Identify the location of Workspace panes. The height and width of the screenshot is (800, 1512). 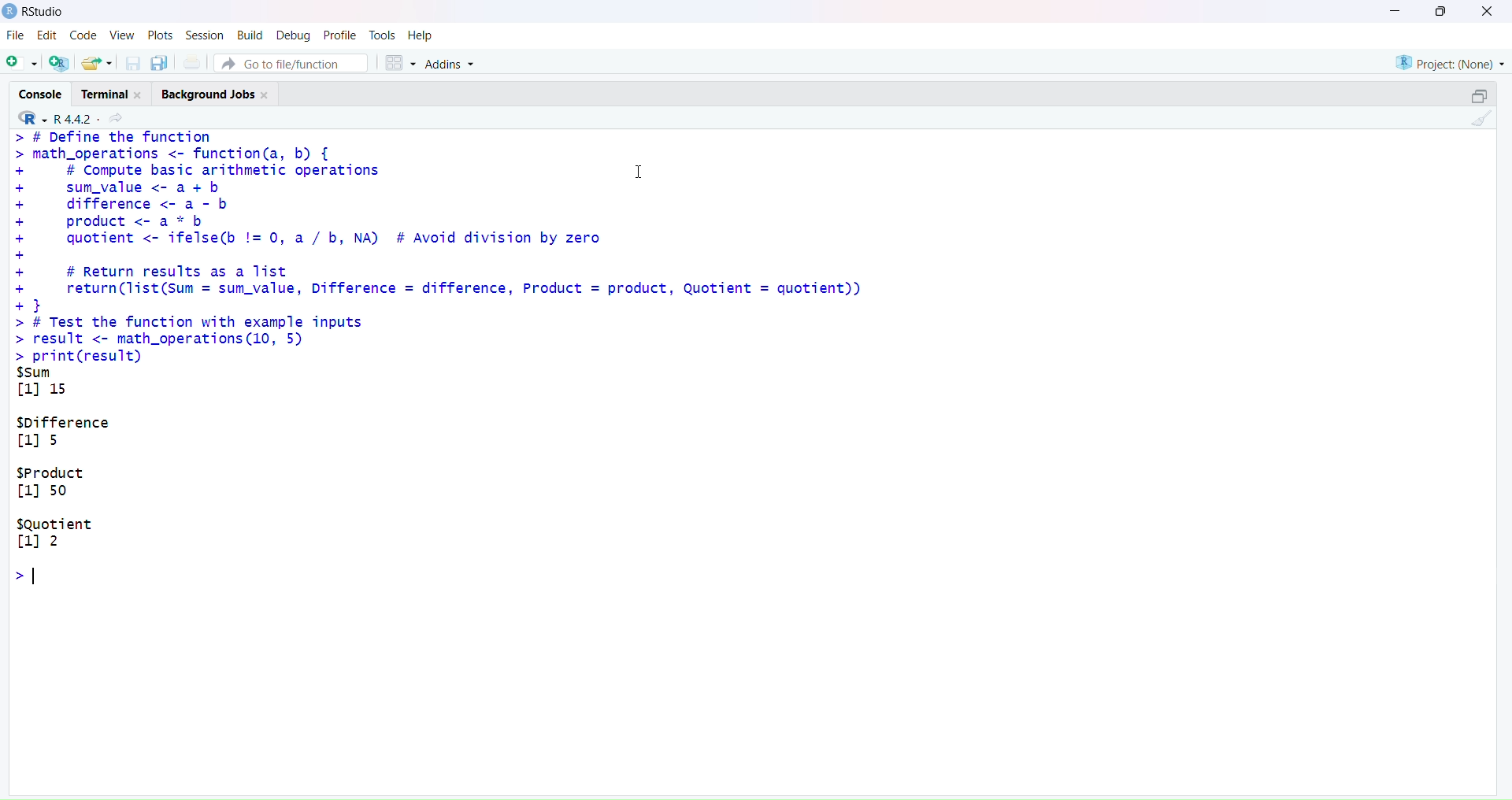
(398, 62).